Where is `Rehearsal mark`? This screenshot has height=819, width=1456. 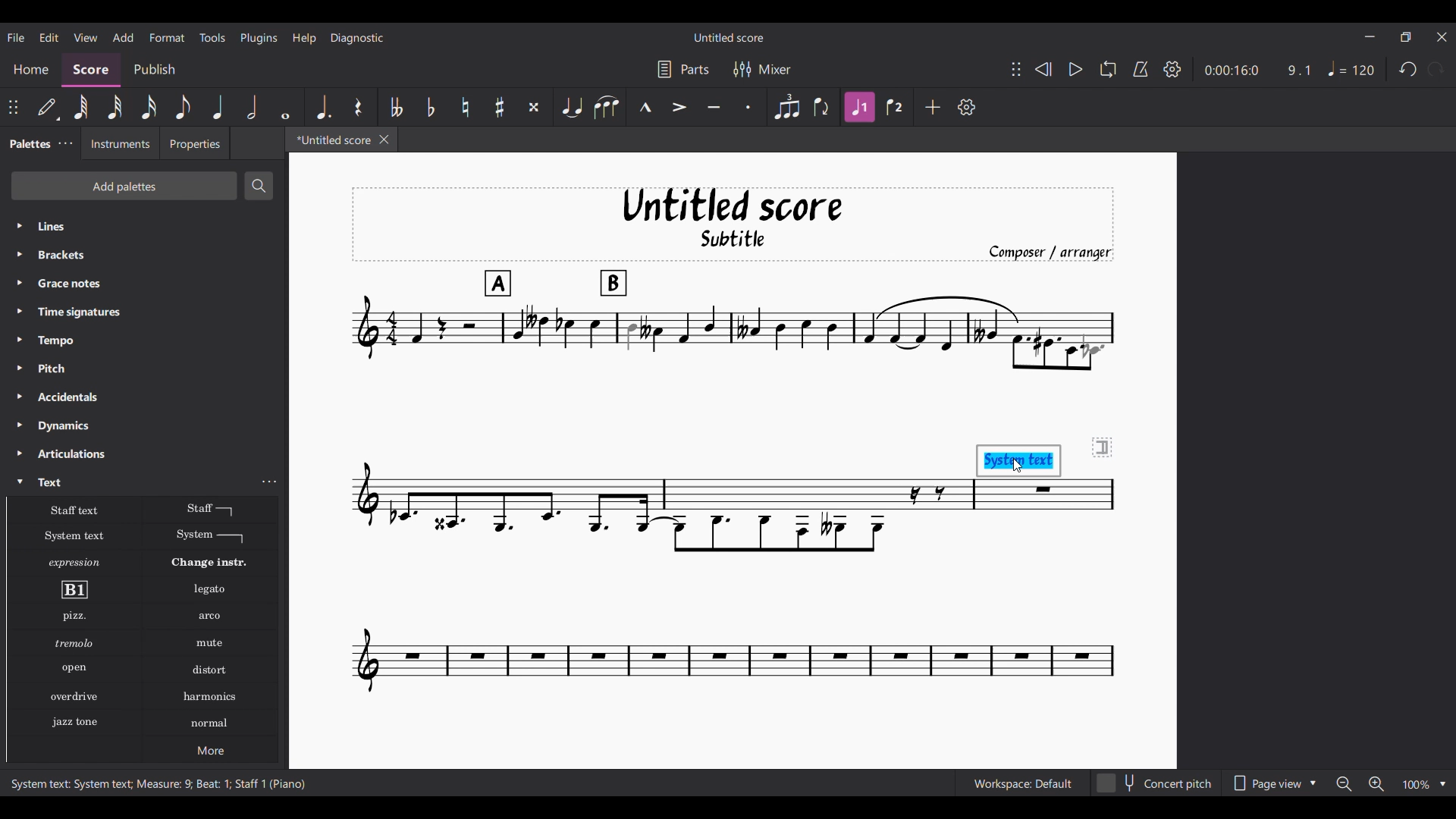
Rehearsal mark is located at coordinates (74, 589).